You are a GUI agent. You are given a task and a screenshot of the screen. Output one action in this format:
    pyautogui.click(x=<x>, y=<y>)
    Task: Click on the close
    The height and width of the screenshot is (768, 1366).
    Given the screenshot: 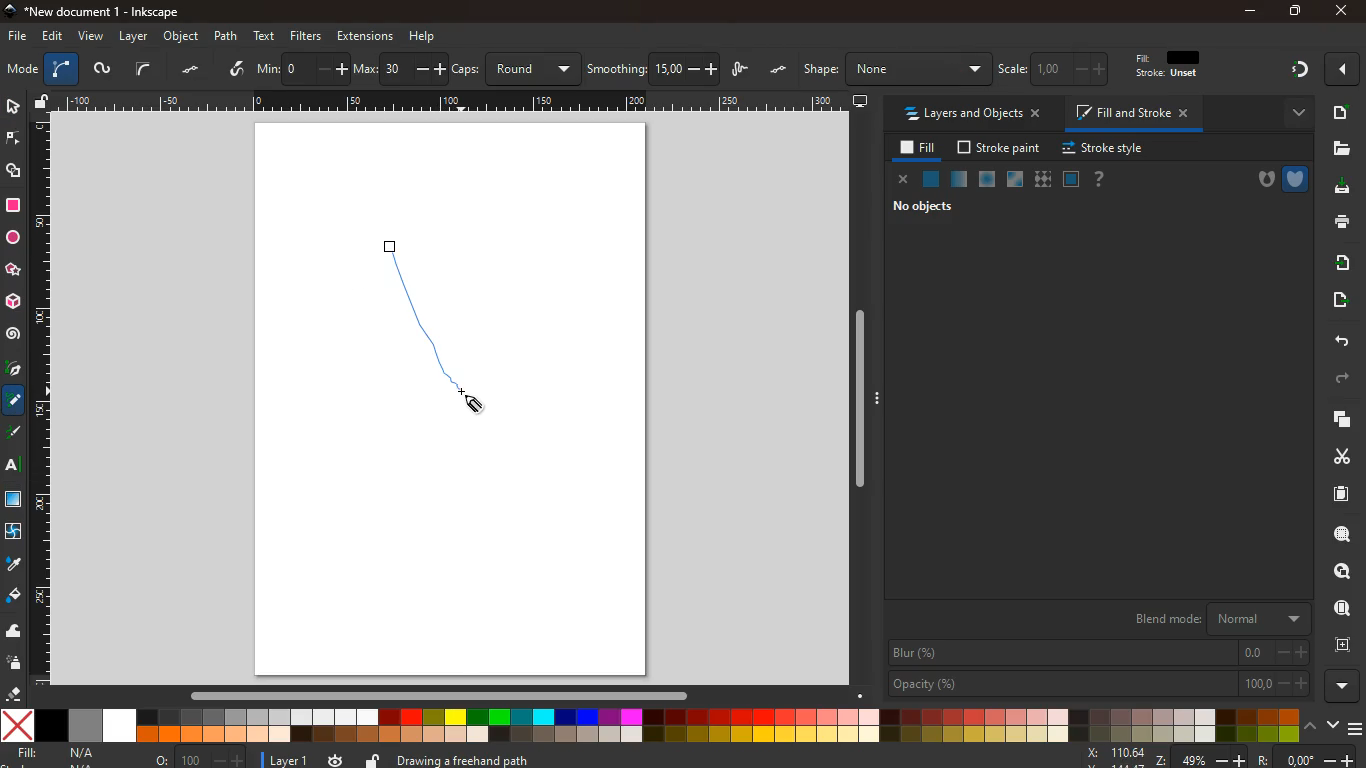 What is the action you would take?
    pyautogui.click(x=904, y=181)
    